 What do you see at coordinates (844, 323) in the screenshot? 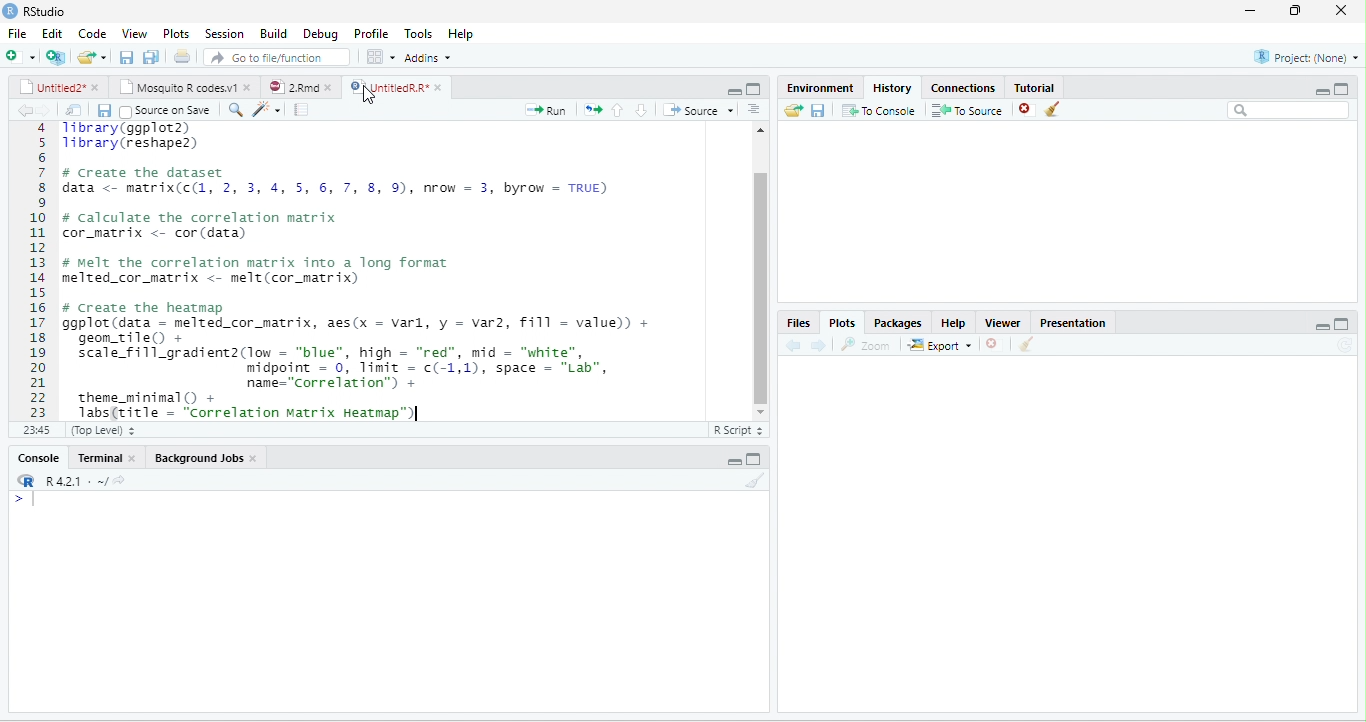
I see `plots` at bounding box center [844, 323].